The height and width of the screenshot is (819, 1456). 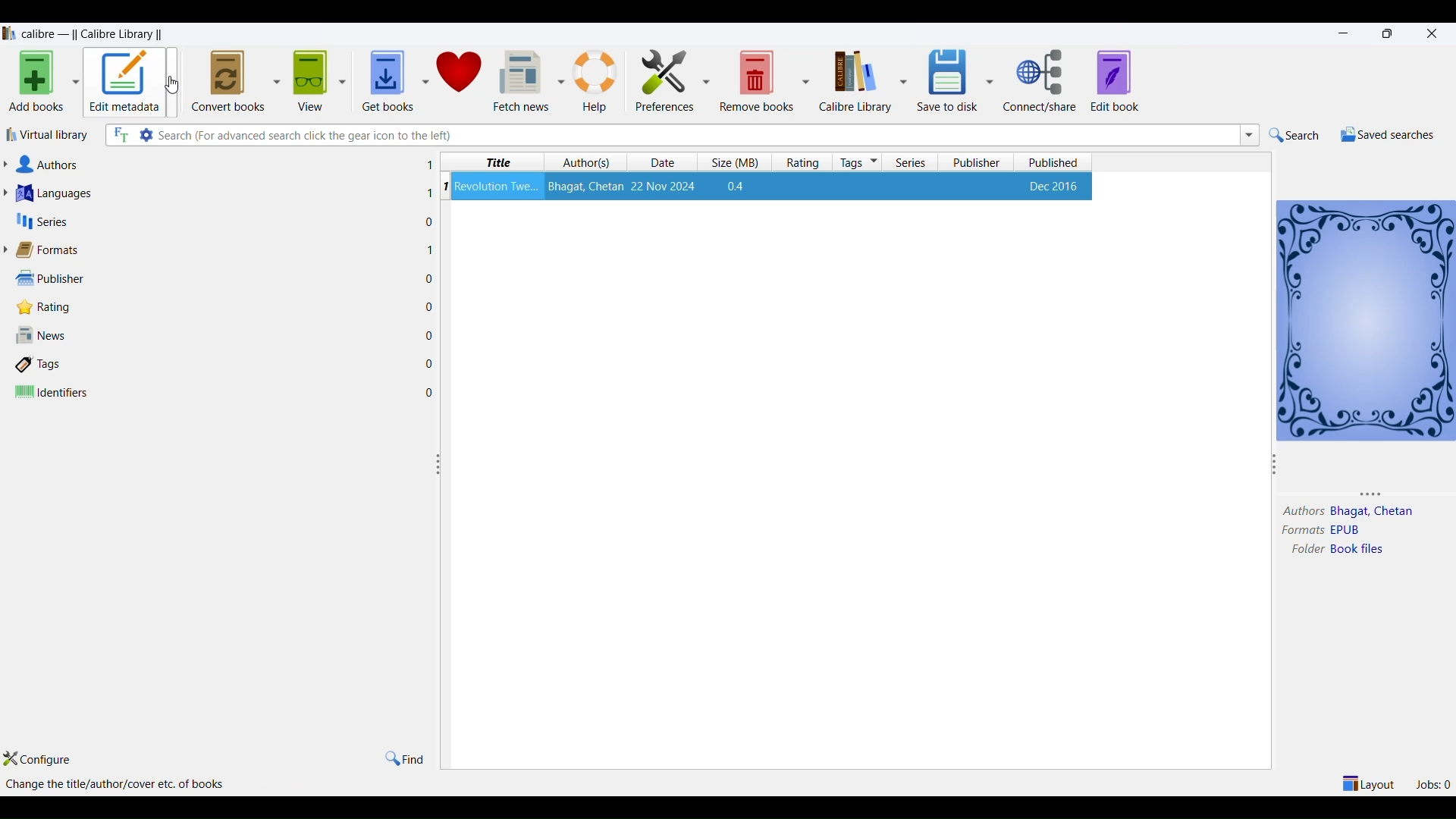 What do you see at coordinates (93, 32) in the screenshot?
I see `application name` at bounding box center [93, 32].